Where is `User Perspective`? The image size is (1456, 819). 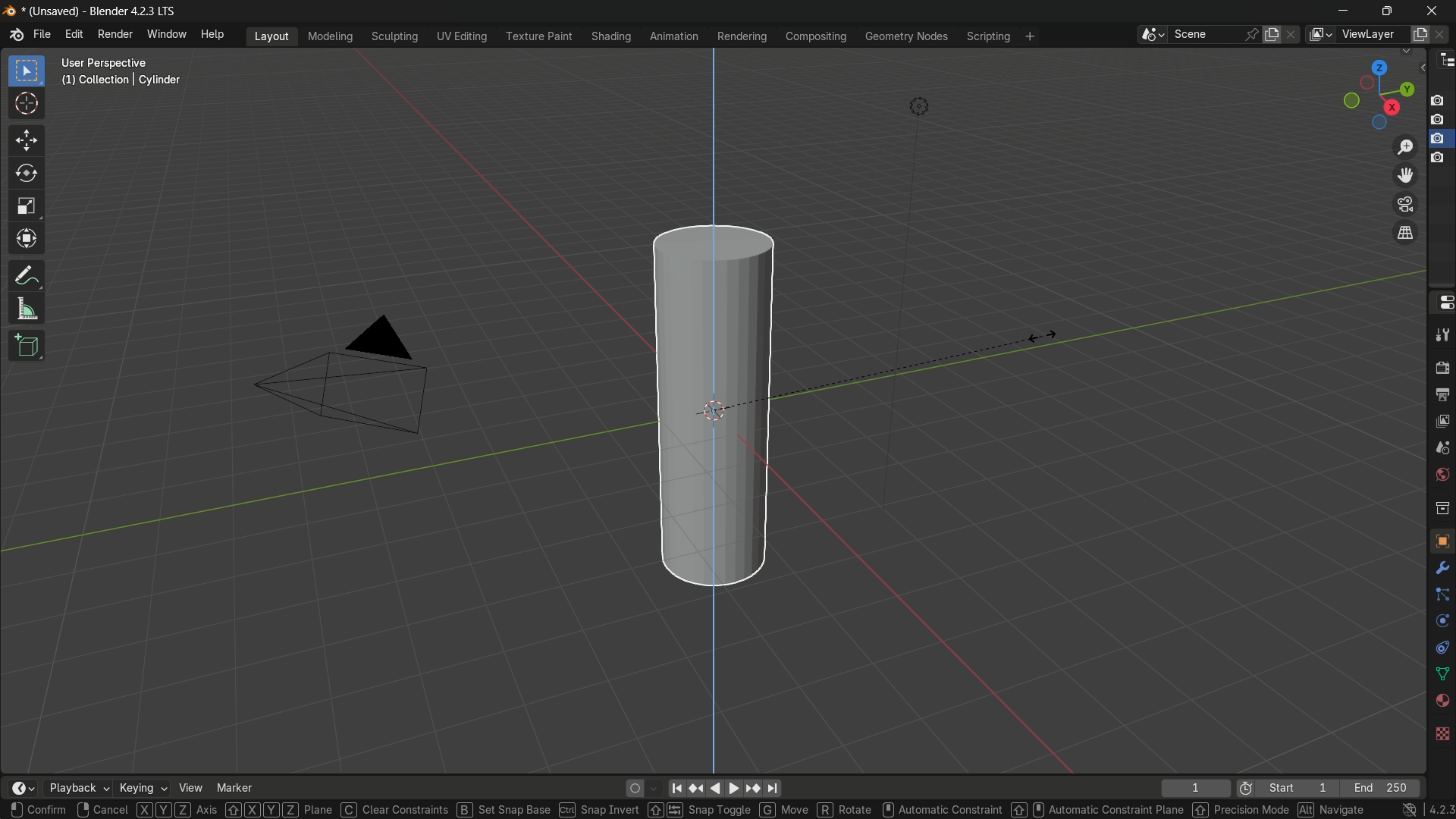
User Perspective is located at coordinates (123, 62).